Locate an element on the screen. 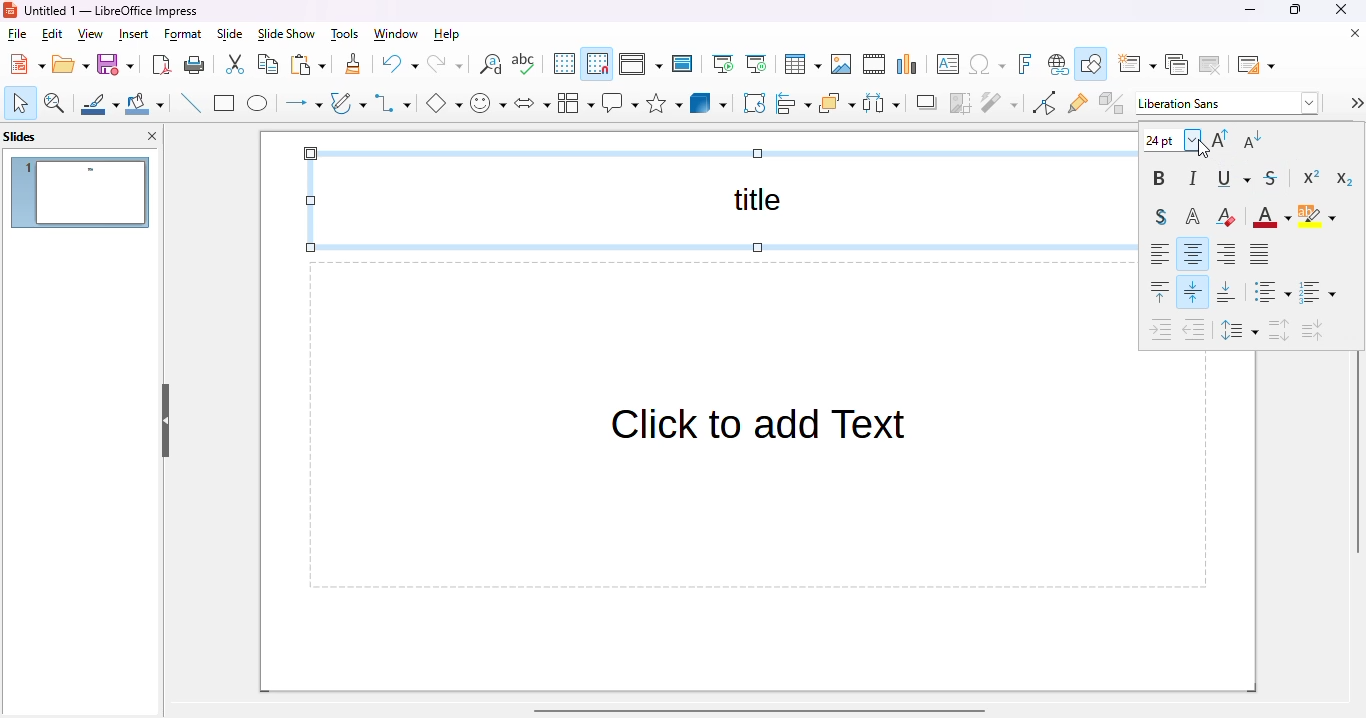 The width and height of the screenshot is (1366, 718). vertical scroll bar is located at coordinates (1357, 455).